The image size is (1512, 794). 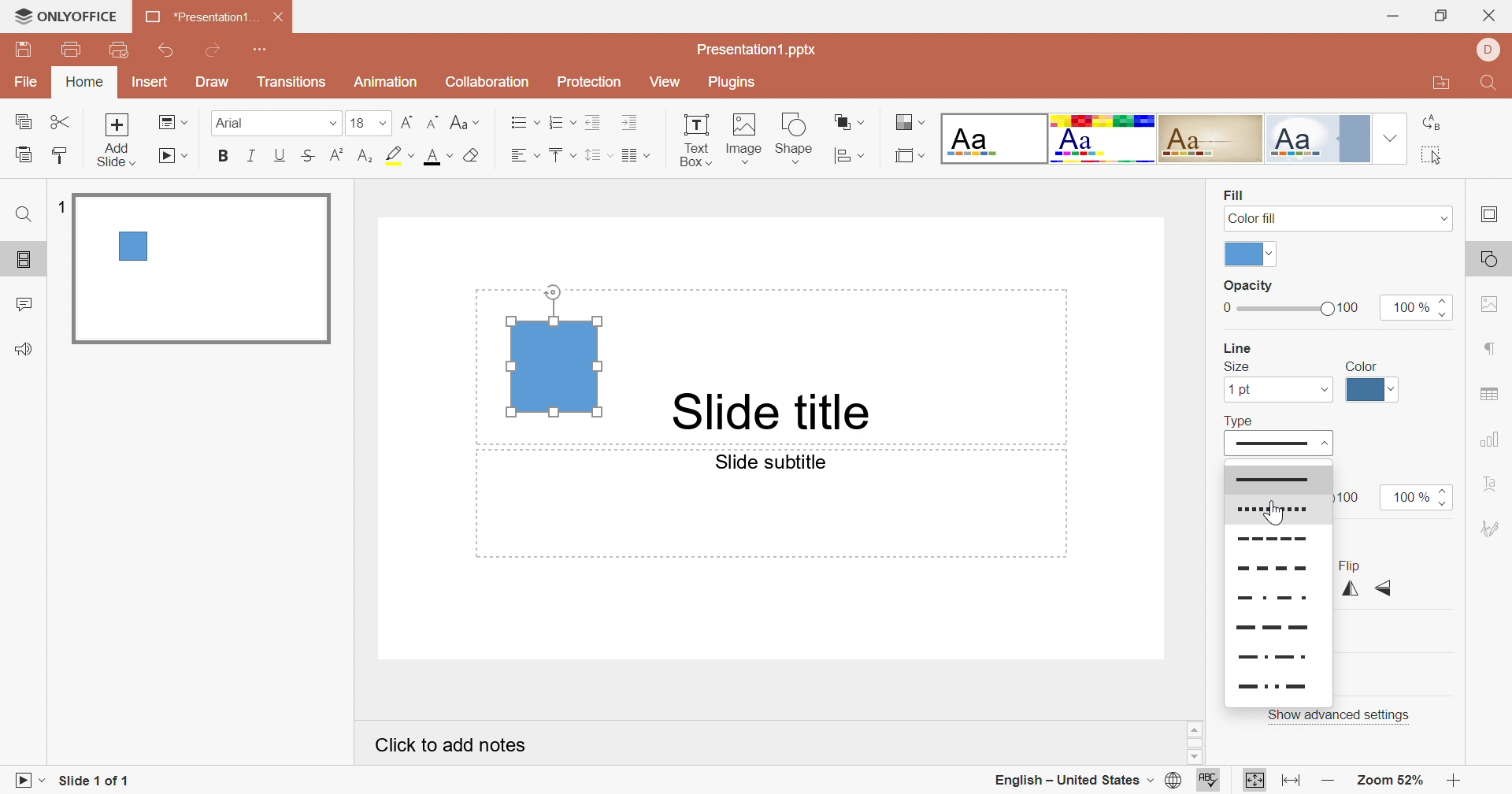 What do you see at coordinates (24, 155) in the screenshot?
I see `Copy Style` at bounding box center [24, 155].